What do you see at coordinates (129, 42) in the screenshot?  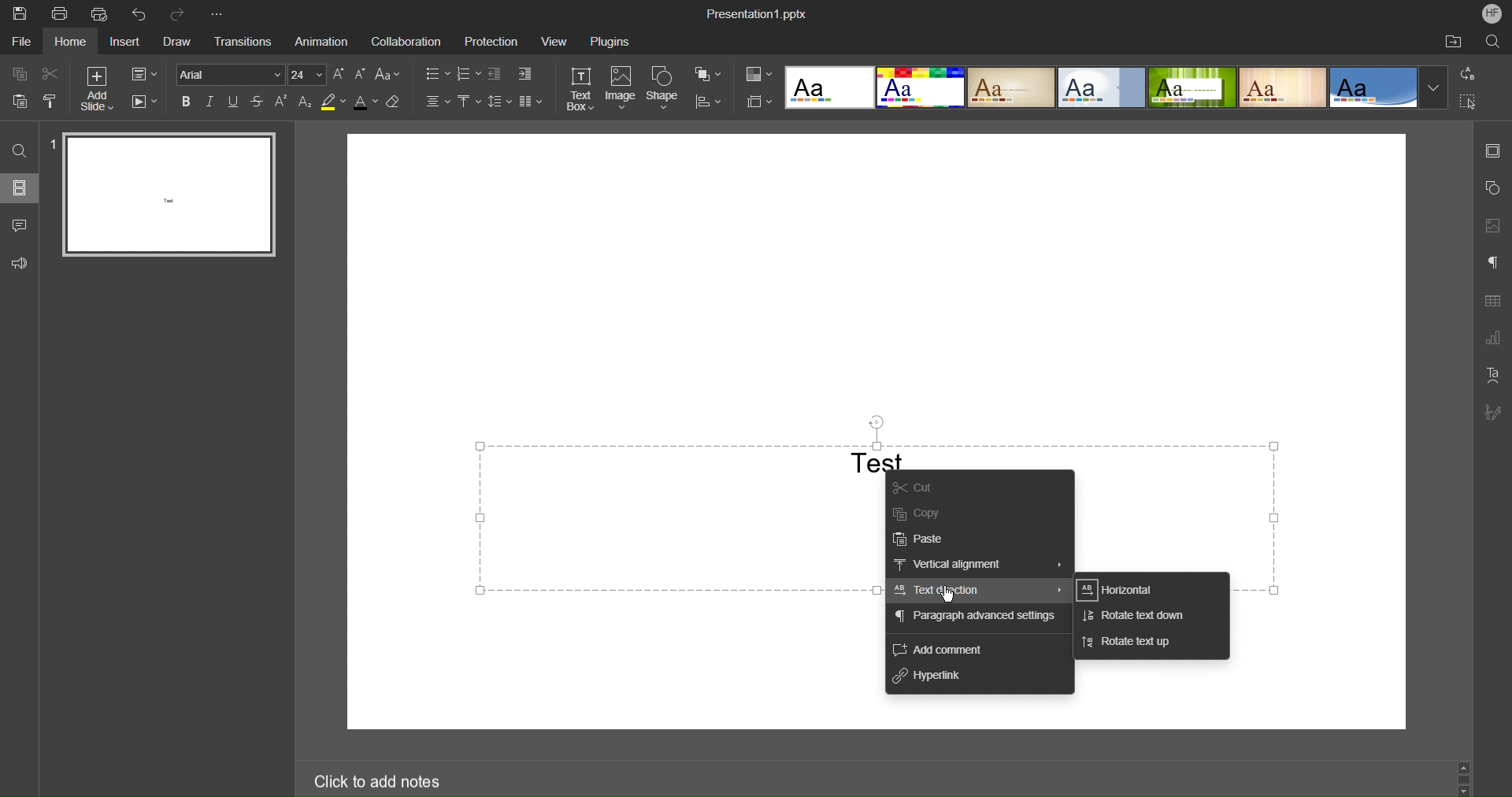 I see `Insert` at bounding box center [129, 42].